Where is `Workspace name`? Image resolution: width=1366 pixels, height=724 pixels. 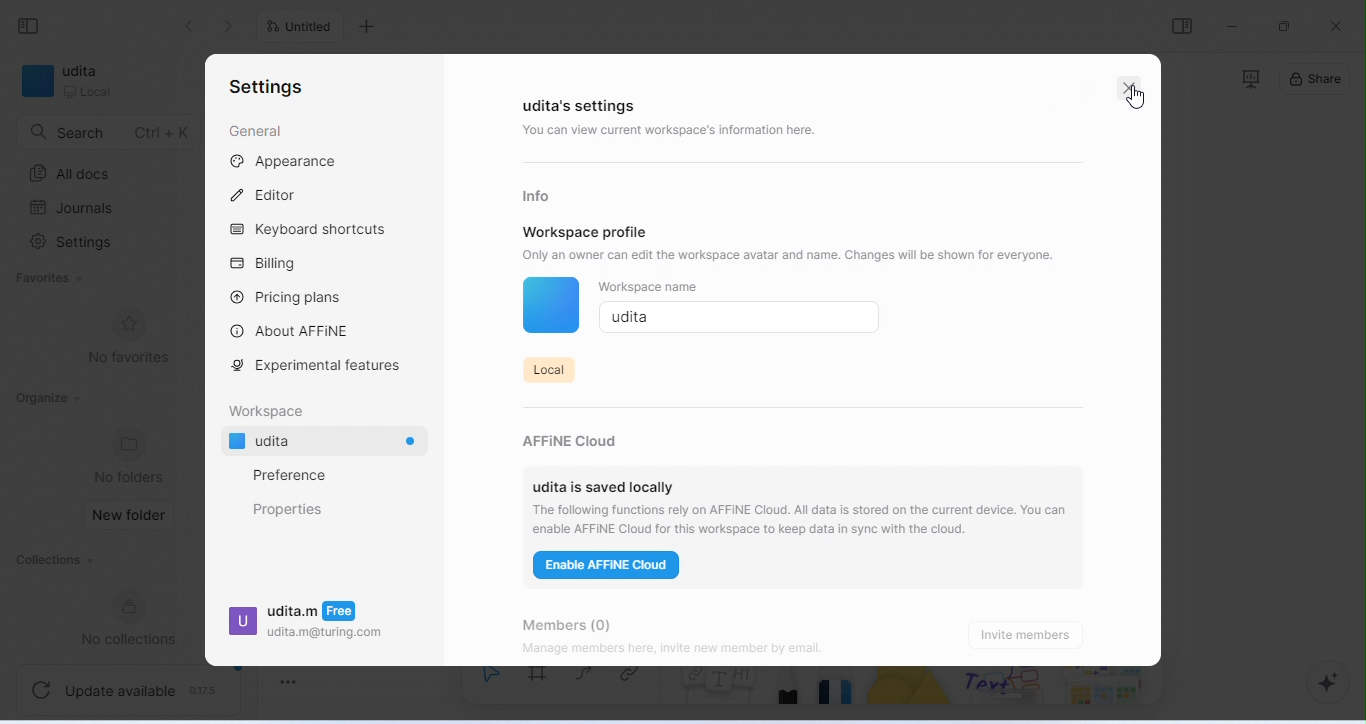 Workspace name is located at coordinates (723, 285).